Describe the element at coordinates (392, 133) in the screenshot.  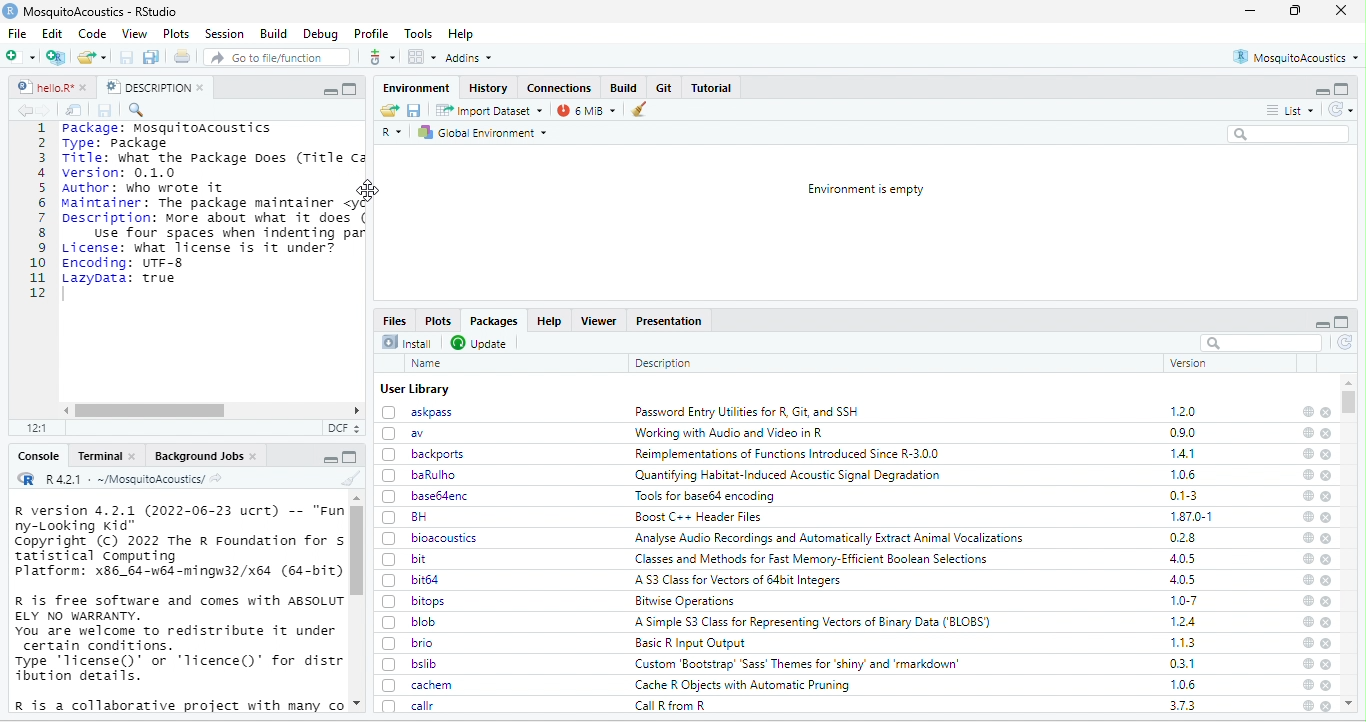
I see `R` at that location.